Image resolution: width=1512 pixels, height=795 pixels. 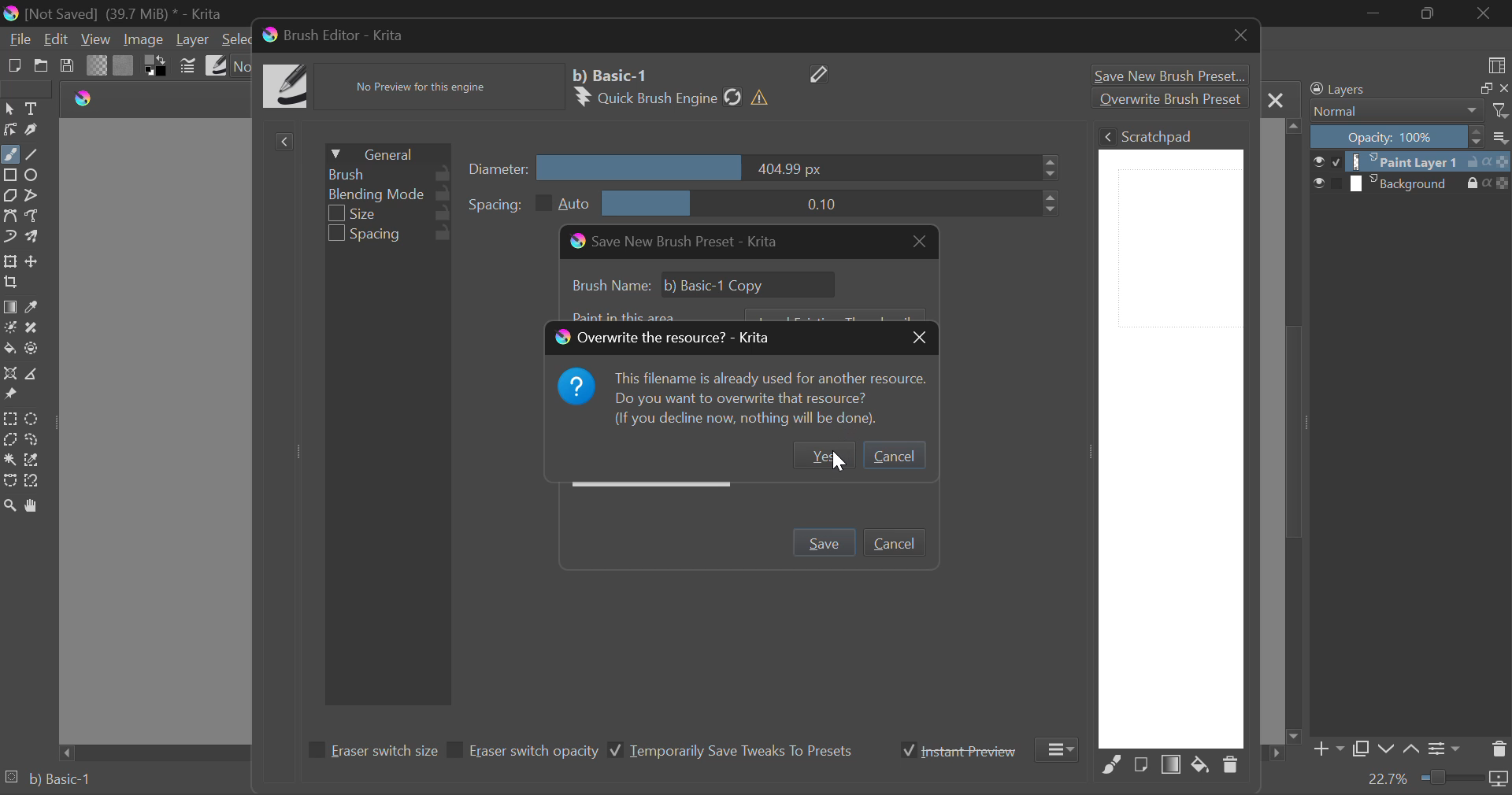 What do you see at coordinates (124, 65) in the screenshot?
I see `Pattern` at bounding box center [124, 65].